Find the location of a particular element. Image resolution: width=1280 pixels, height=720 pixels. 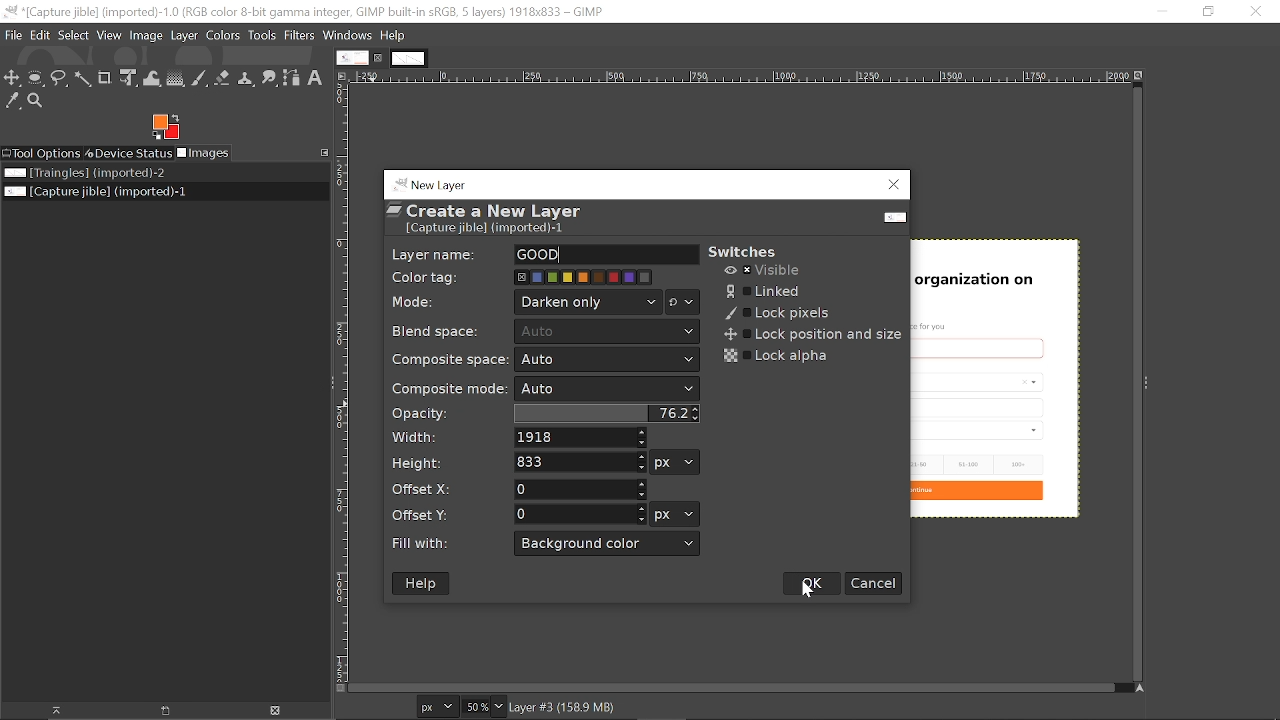

Move tool is located at coordinates (13, 78).